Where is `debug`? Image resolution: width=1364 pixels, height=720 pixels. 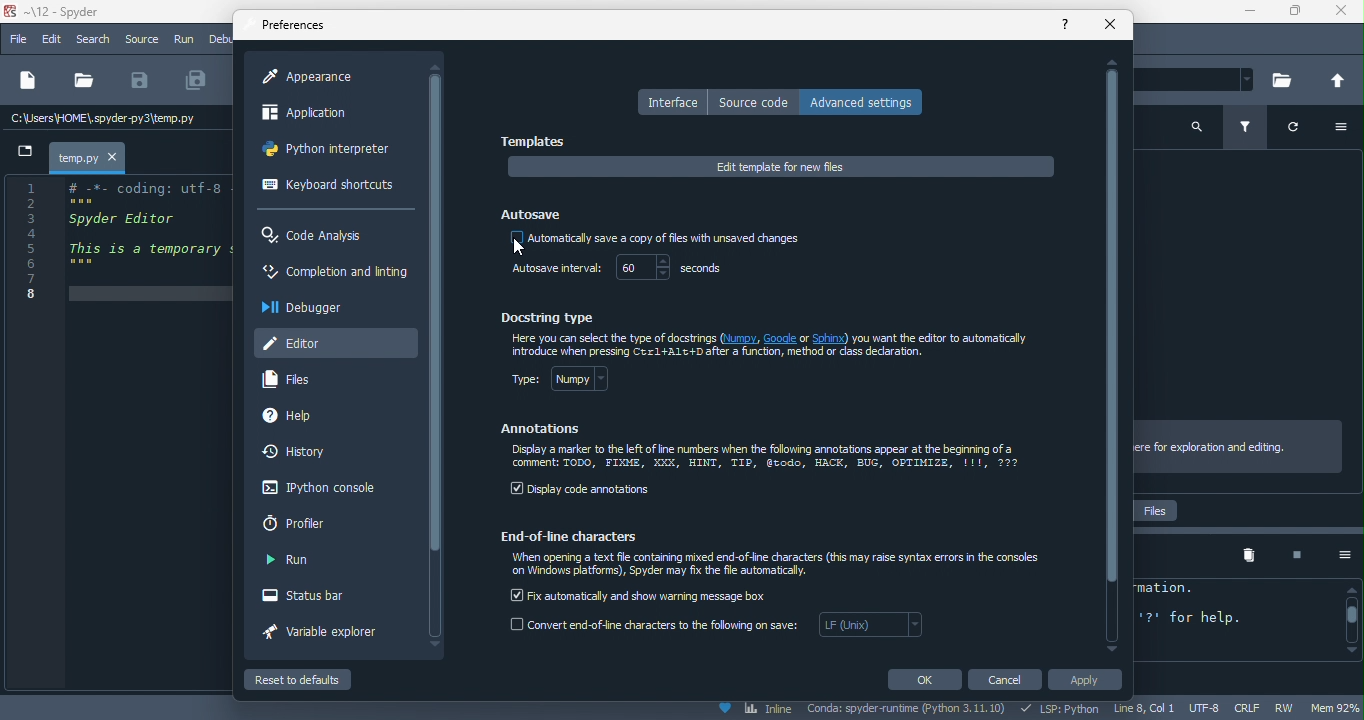
debug is located at coordinates (220, 38).